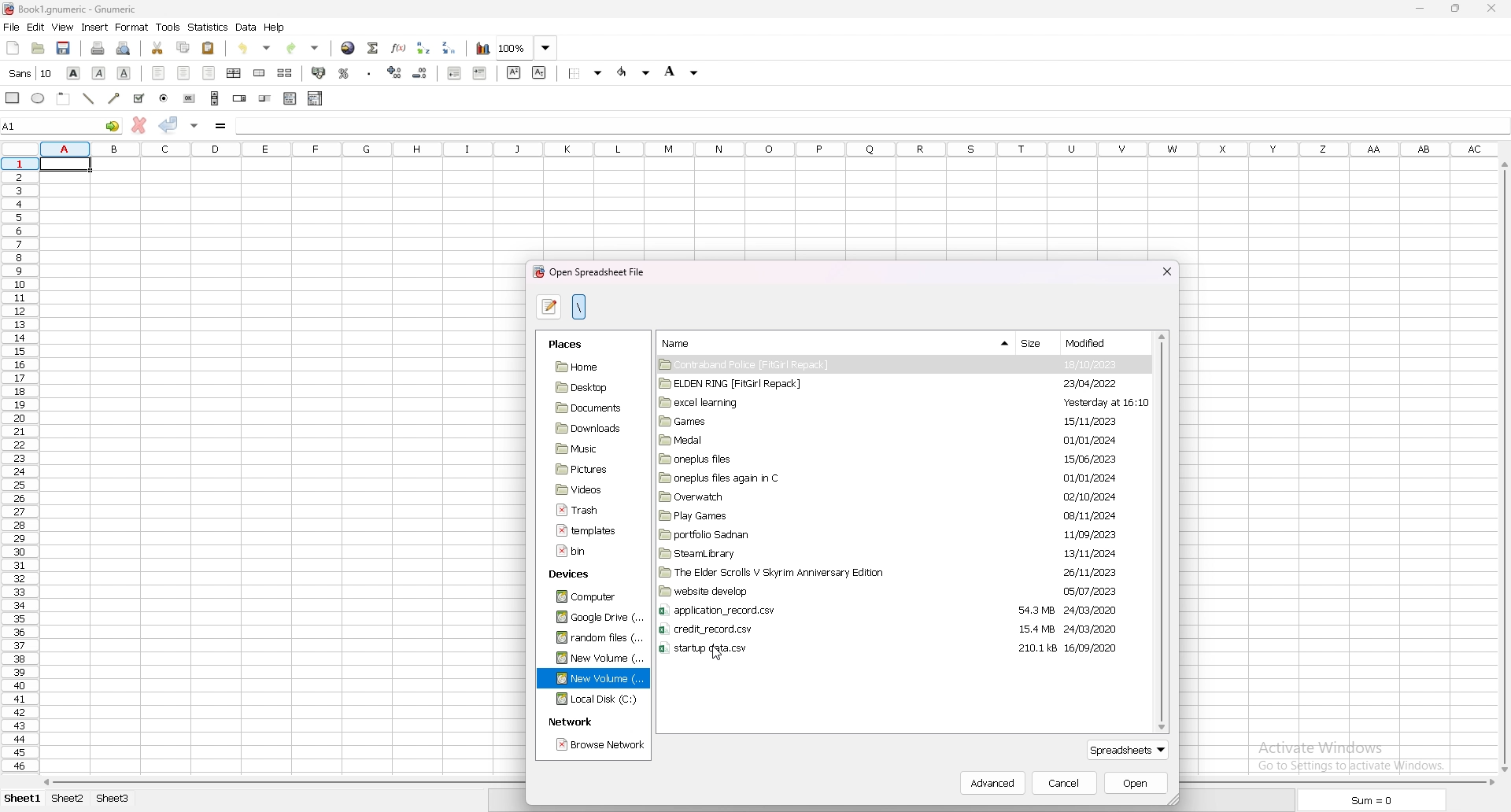 This screenshot has height=812, width=1511. What do you see at coordinates (1091, 553) in the screenshot?
I see `13/11/2024` at bounding box center [1091, 553].